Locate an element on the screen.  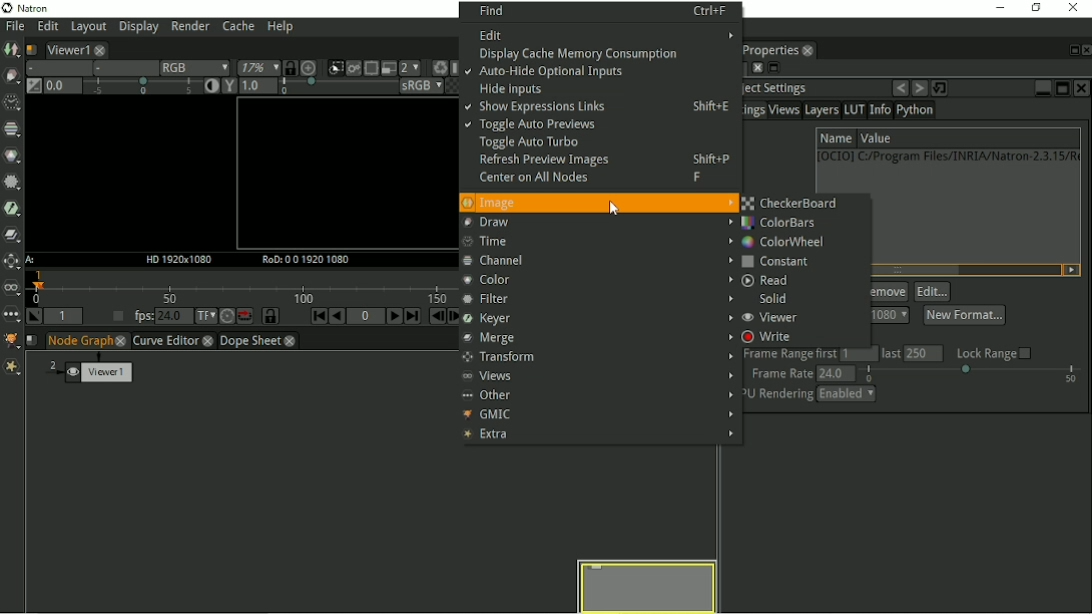
Set playback frame is located at coordinates (115, 317).